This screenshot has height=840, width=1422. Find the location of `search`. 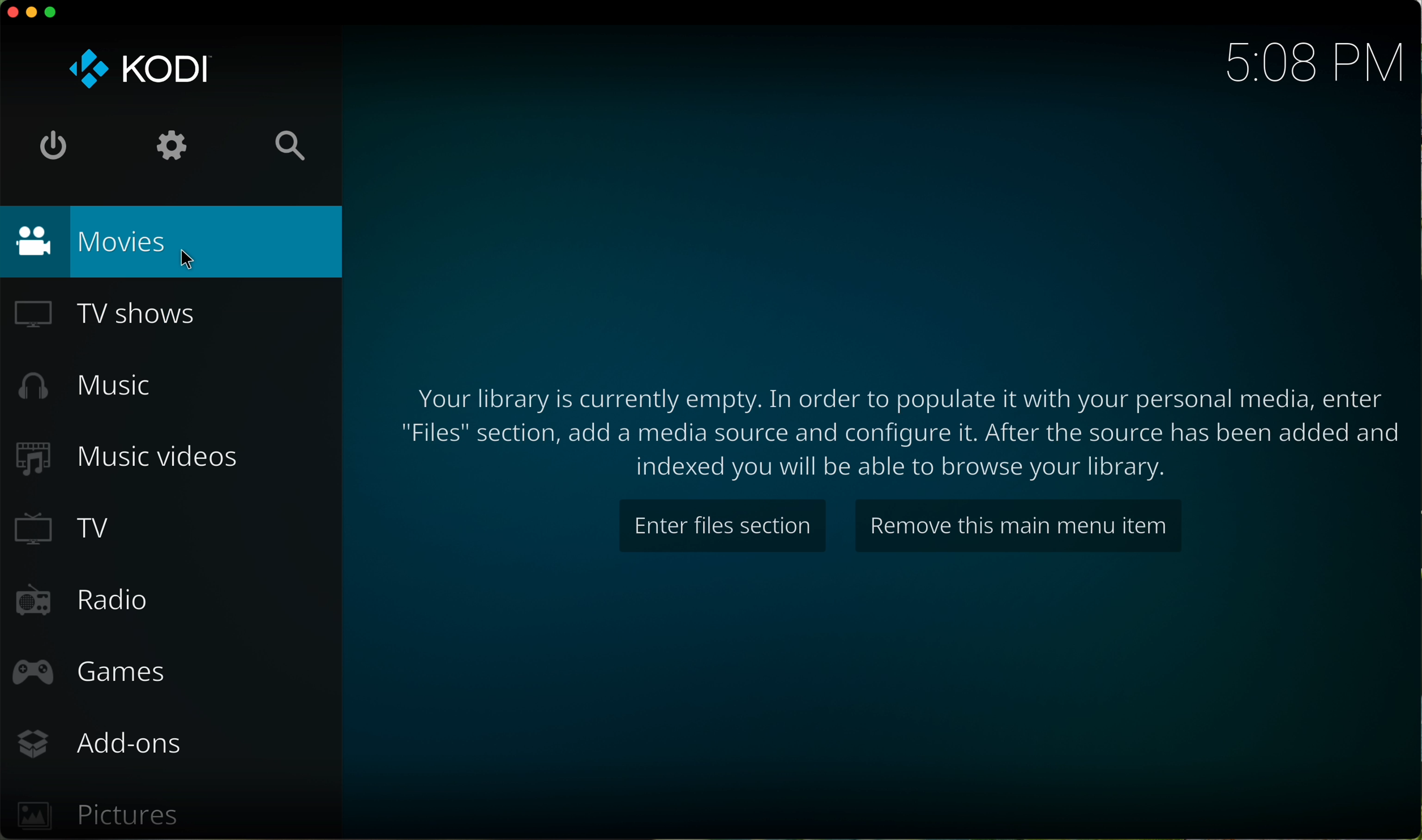

search is located at coordinates (292, 144).